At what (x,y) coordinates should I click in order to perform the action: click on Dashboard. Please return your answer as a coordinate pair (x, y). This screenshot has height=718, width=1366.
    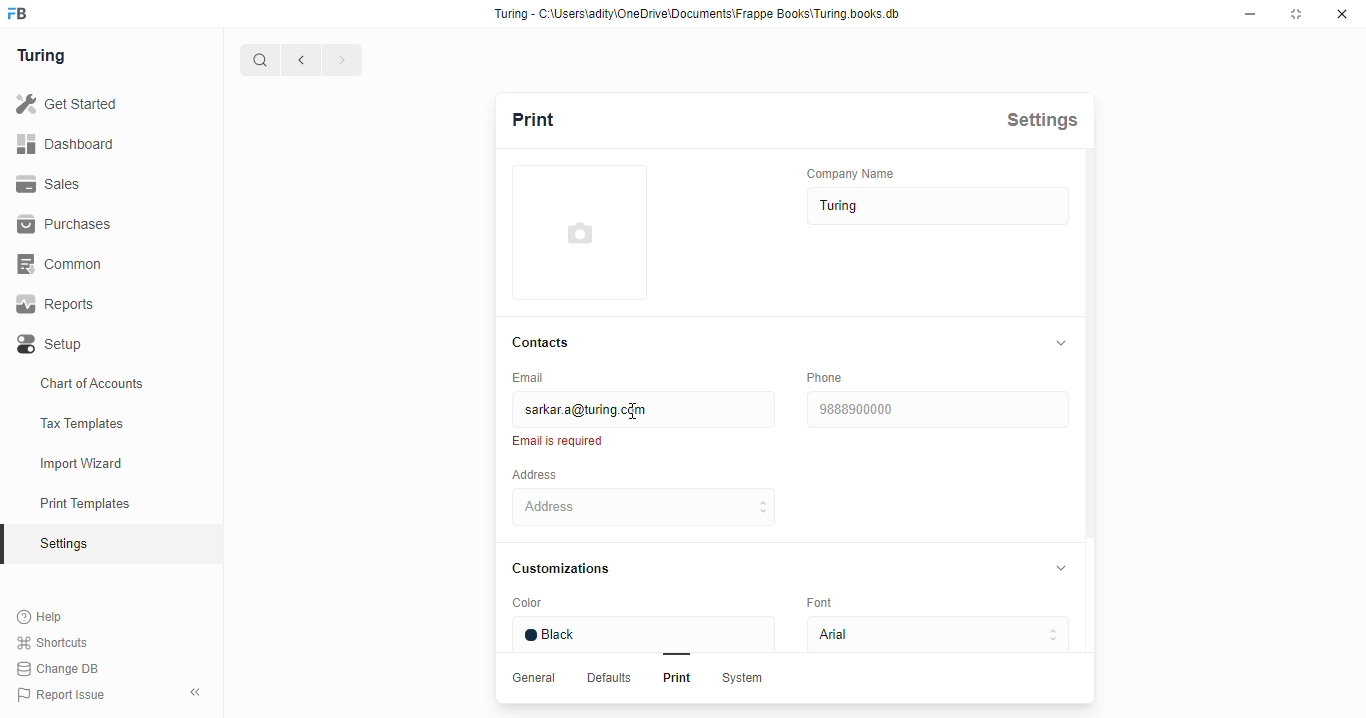
    Looking at the image, I should click on (71, 143).